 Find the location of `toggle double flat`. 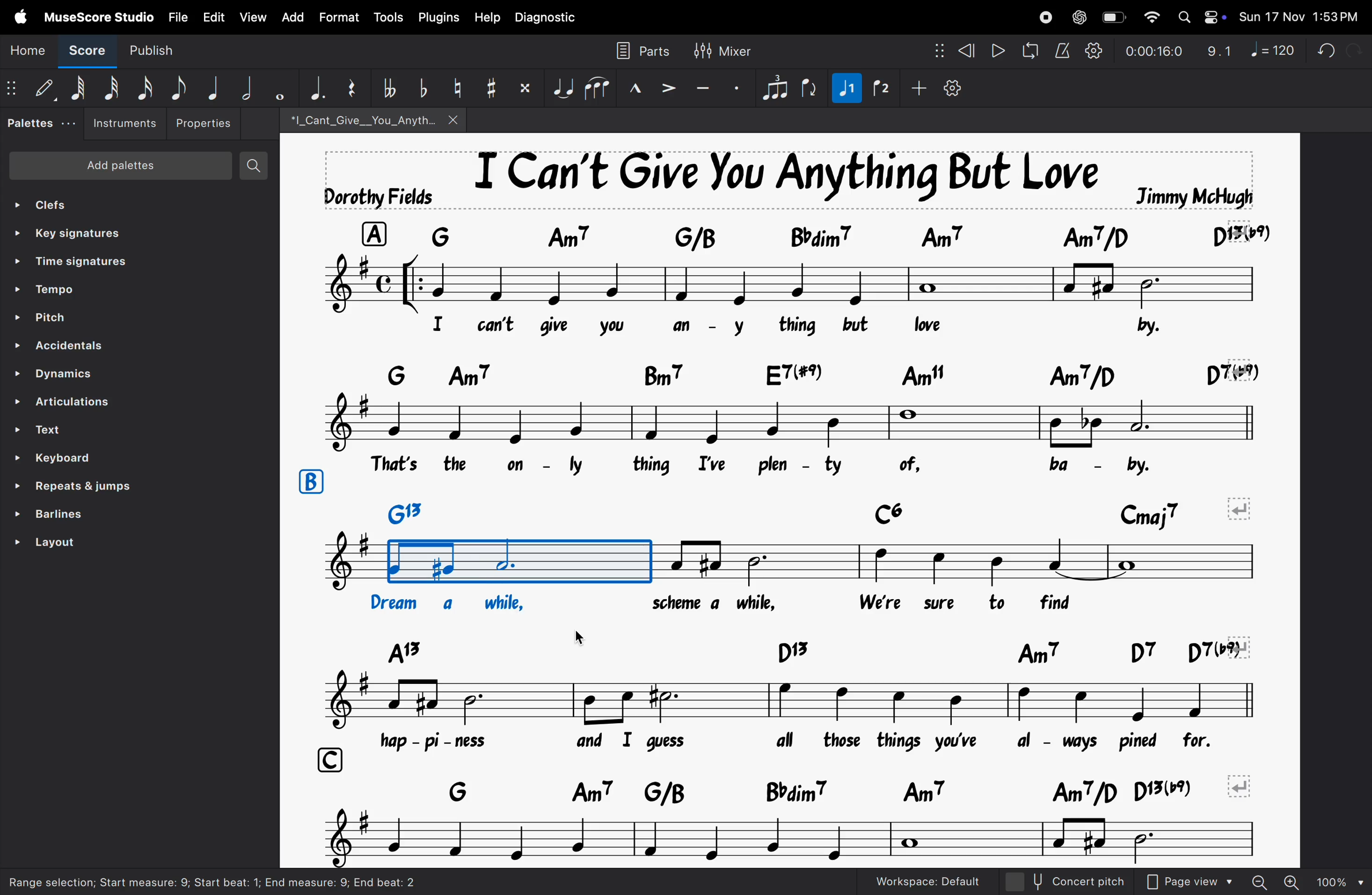

toggle double flat is located at coordinates (388, 88).